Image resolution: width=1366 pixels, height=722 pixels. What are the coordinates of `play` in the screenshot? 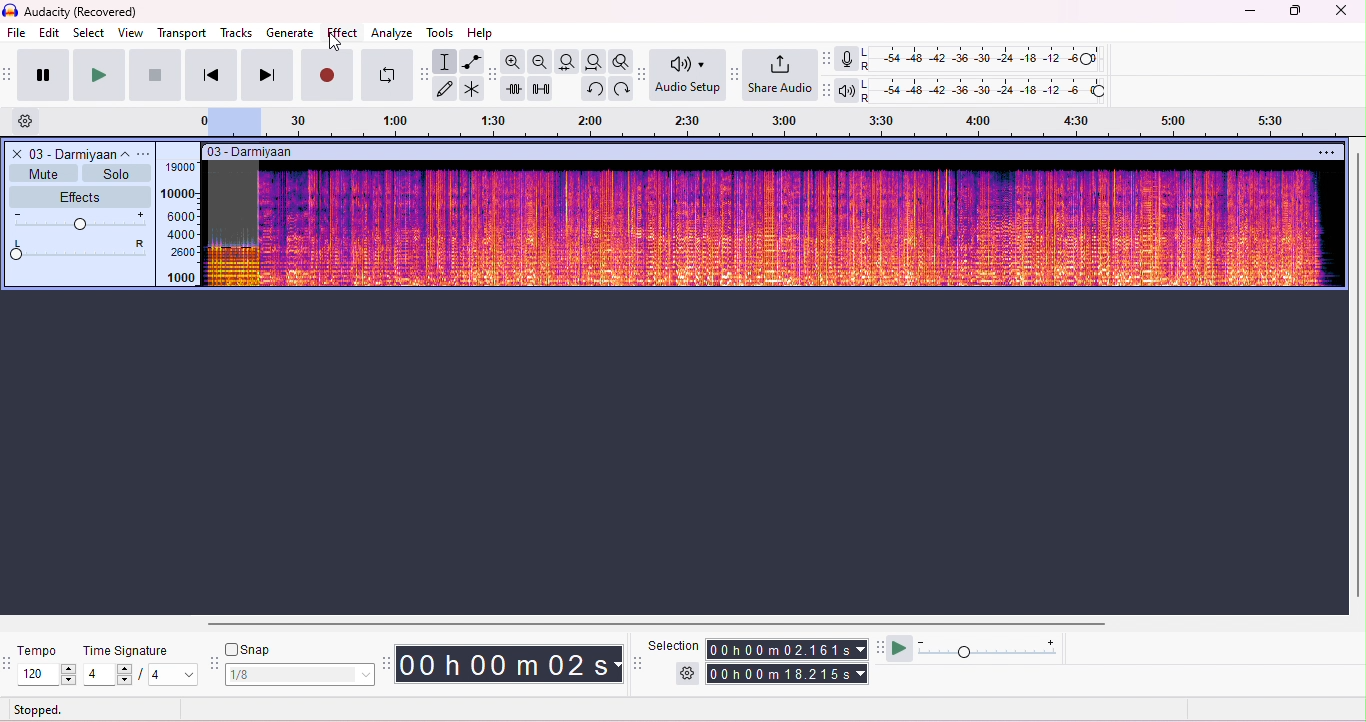 It's located at (98, 75).